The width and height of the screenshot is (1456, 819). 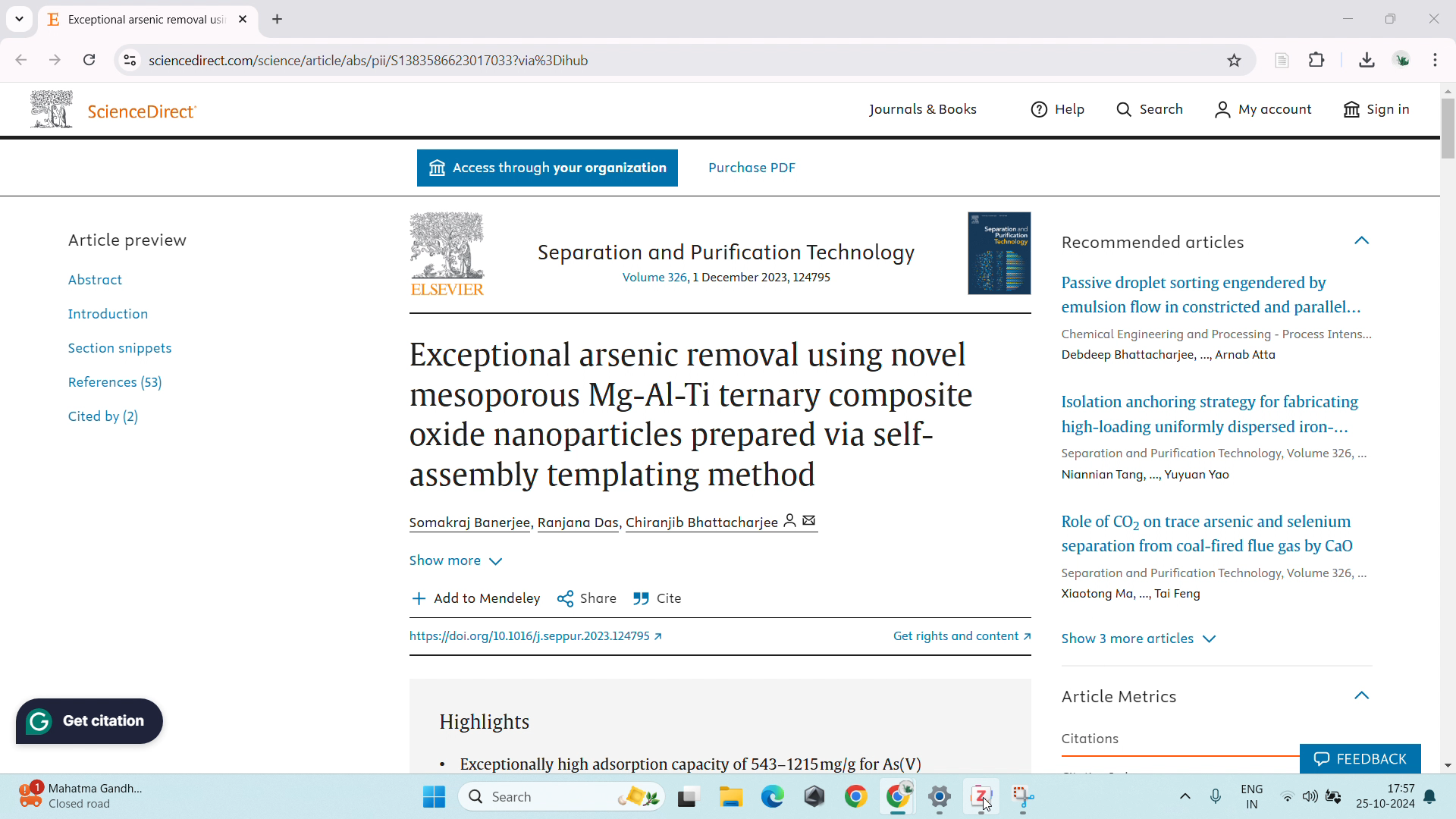 What do you see at coordinates (120, 347) in the screenshot?
I see `Section snippets` at bounding box center [120, 347].